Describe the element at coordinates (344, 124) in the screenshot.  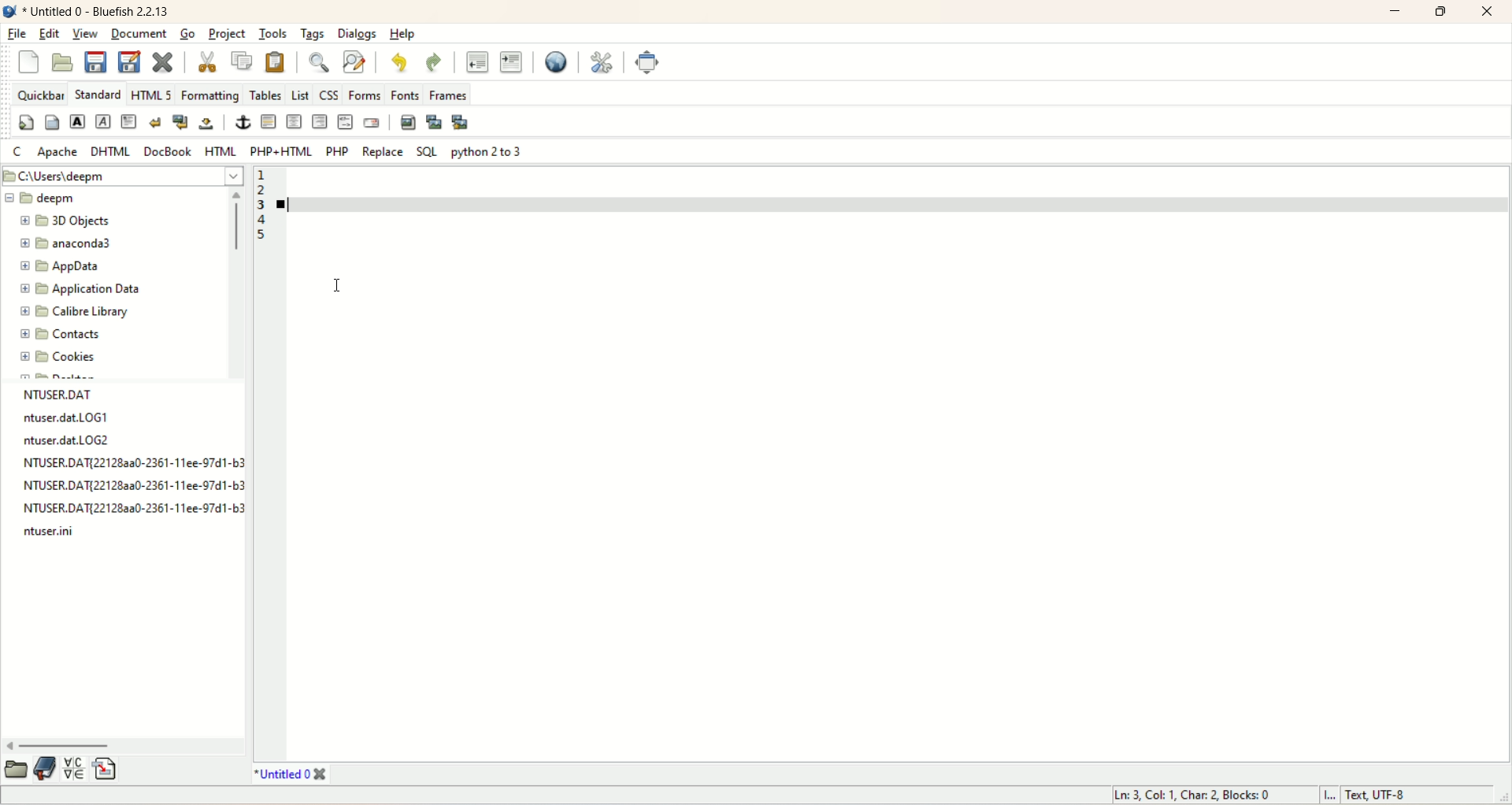
I see `HTML comment` at that location.